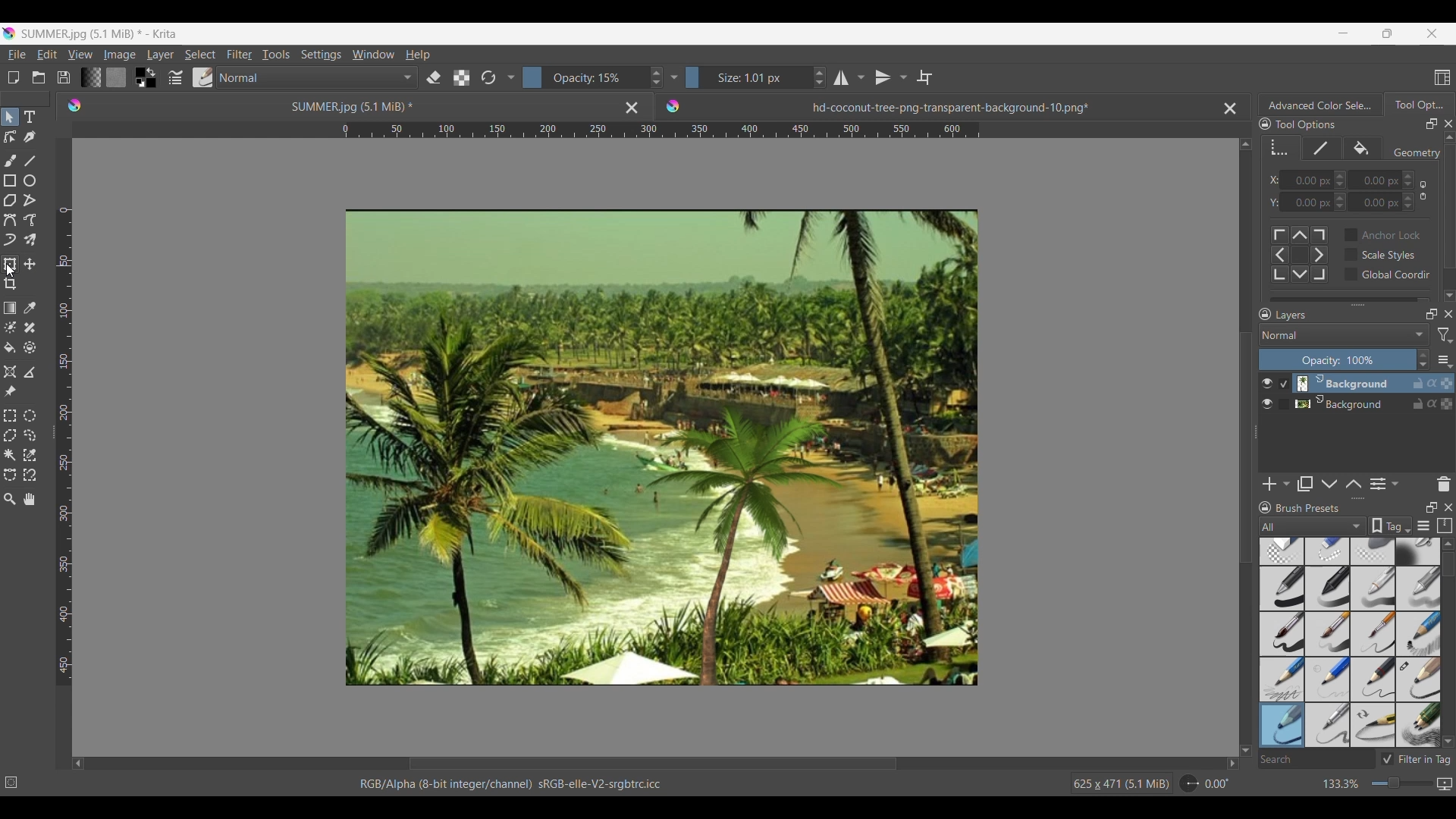 Image resolution: width=1456 pixels, height=819 pixels. What do you see at coordinates (275, 54) in the screenshot?
I see `Tools` at bounding box center [275, 54].